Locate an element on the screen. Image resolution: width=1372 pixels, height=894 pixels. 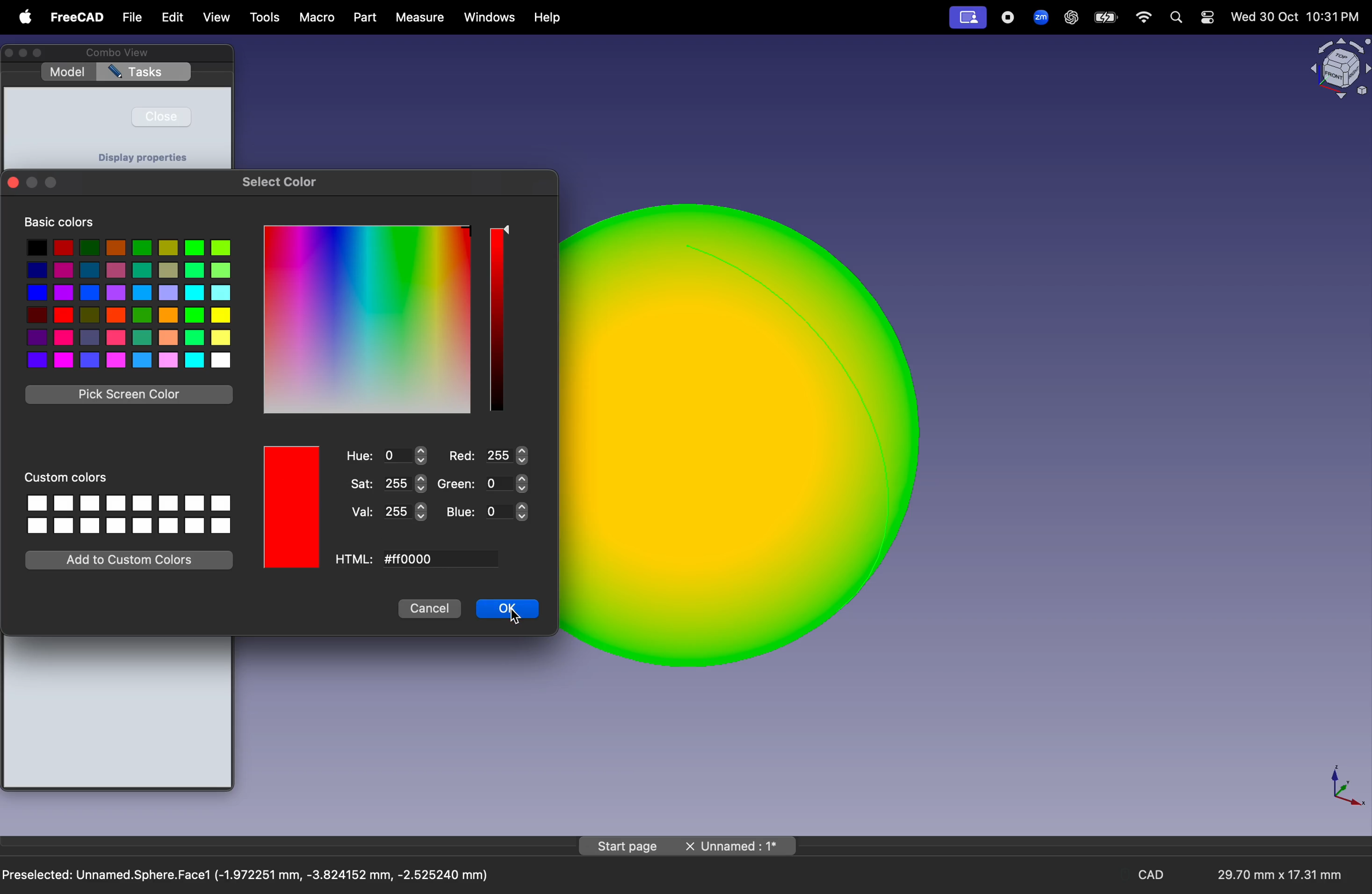
part is located at coordinates (364, 17).